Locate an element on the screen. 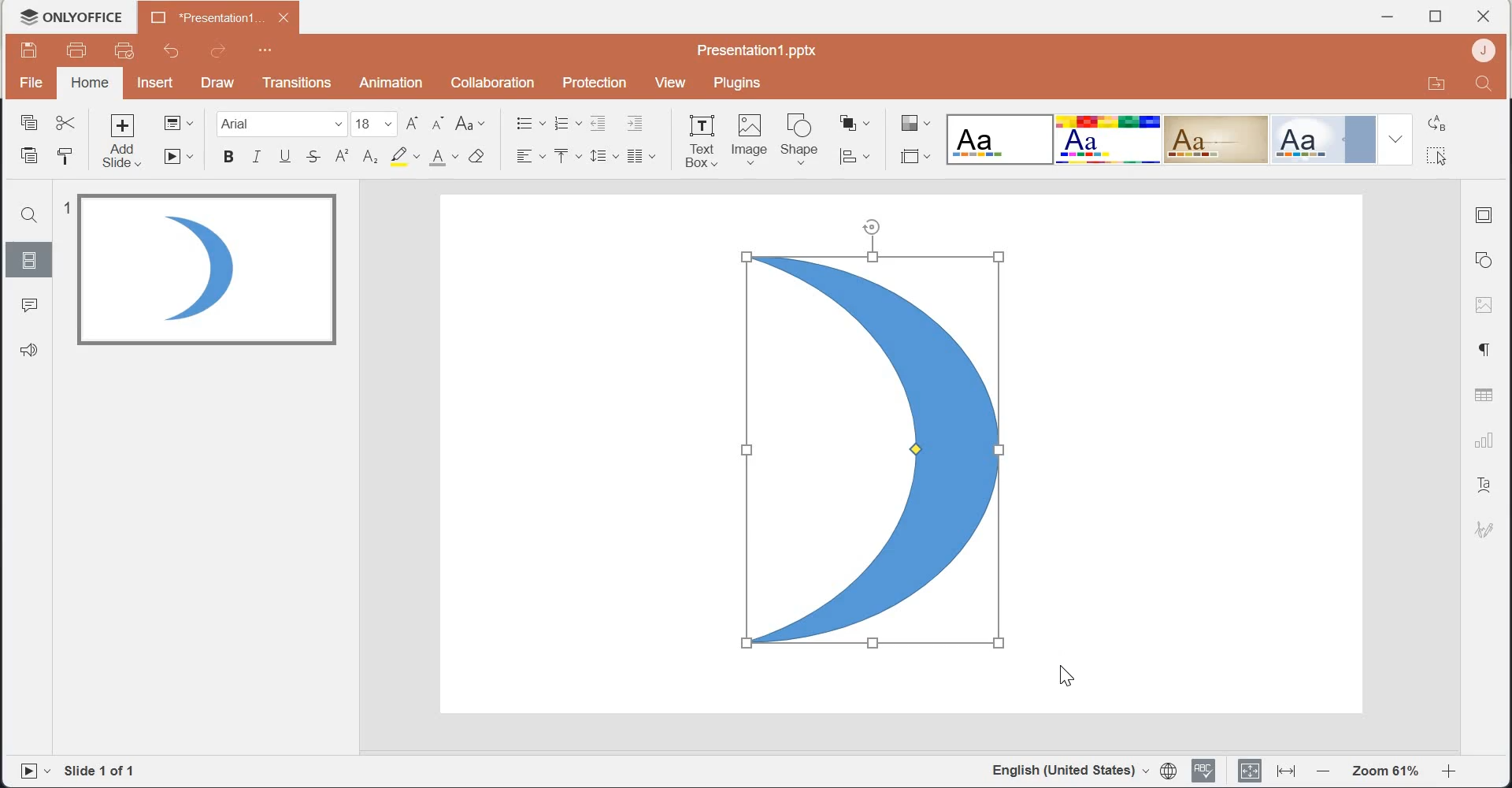 This screenshot has width=1512, height=788. Basic is located at coordinates (1109, 139).